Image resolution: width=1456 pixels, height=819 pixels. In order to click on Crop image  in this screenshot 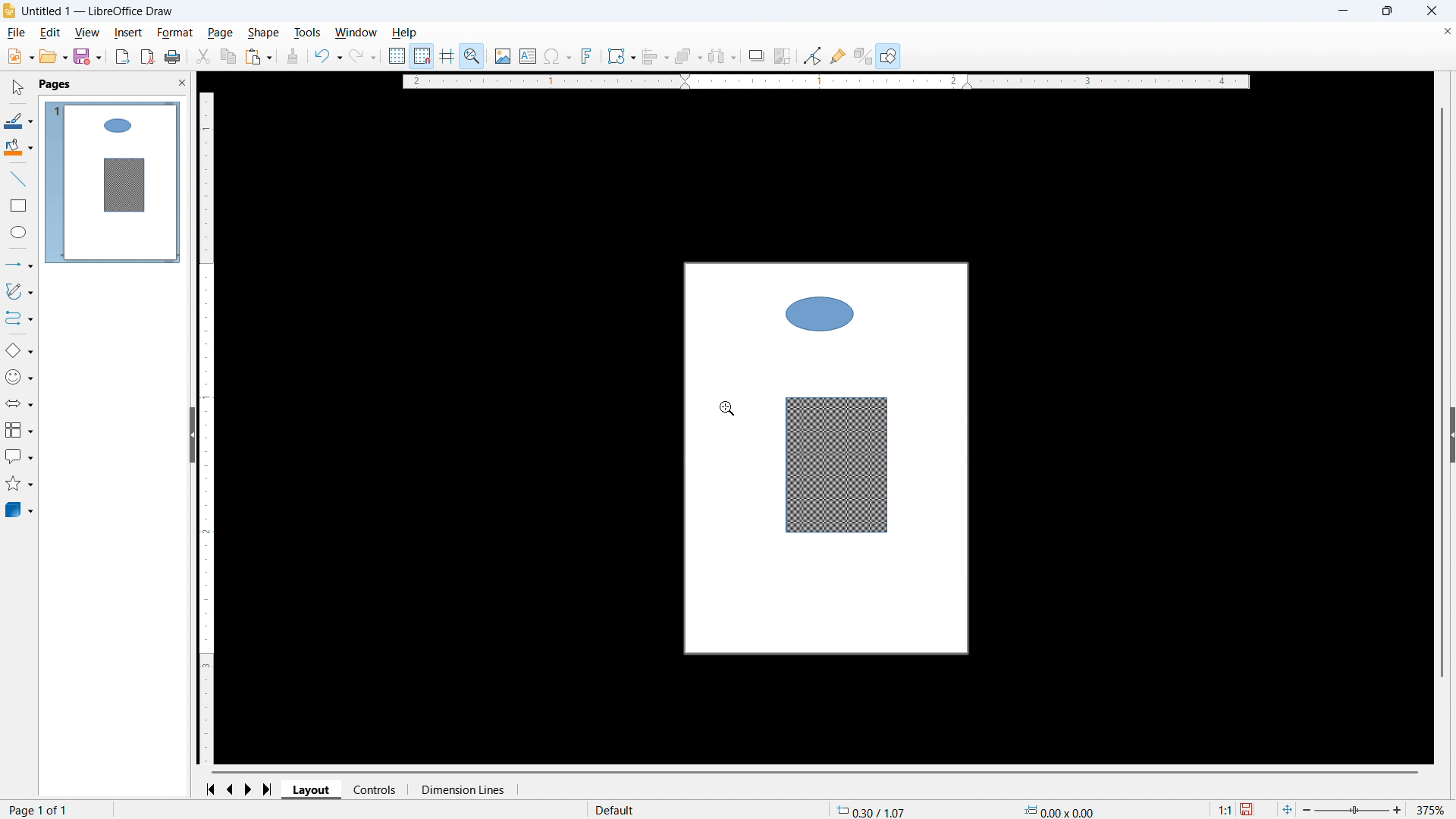, I will do `click(783, 55)`.